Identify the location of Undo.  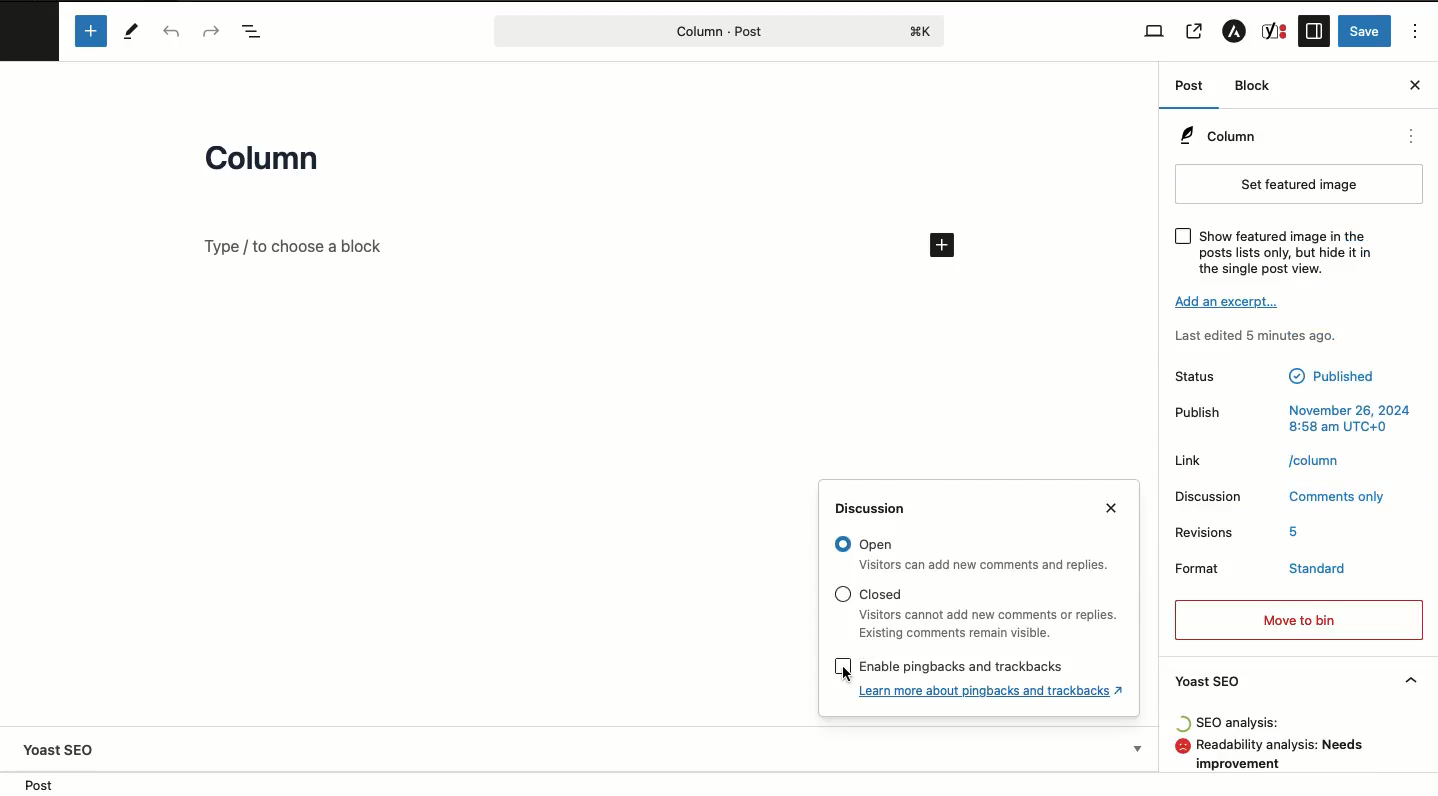
(172, 33).